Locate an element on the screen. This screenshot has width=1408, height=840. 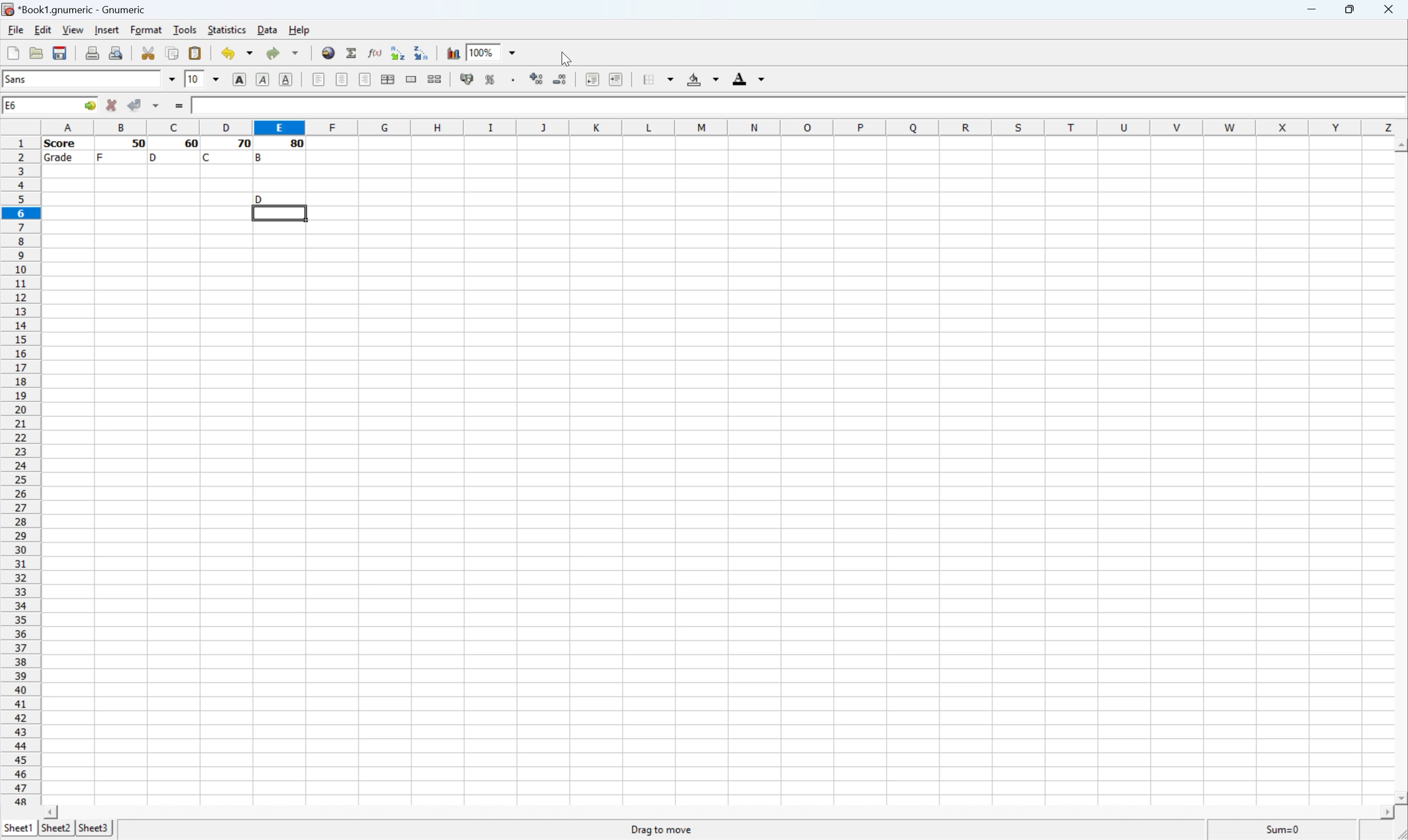
F is located at coordinates (101, 156).